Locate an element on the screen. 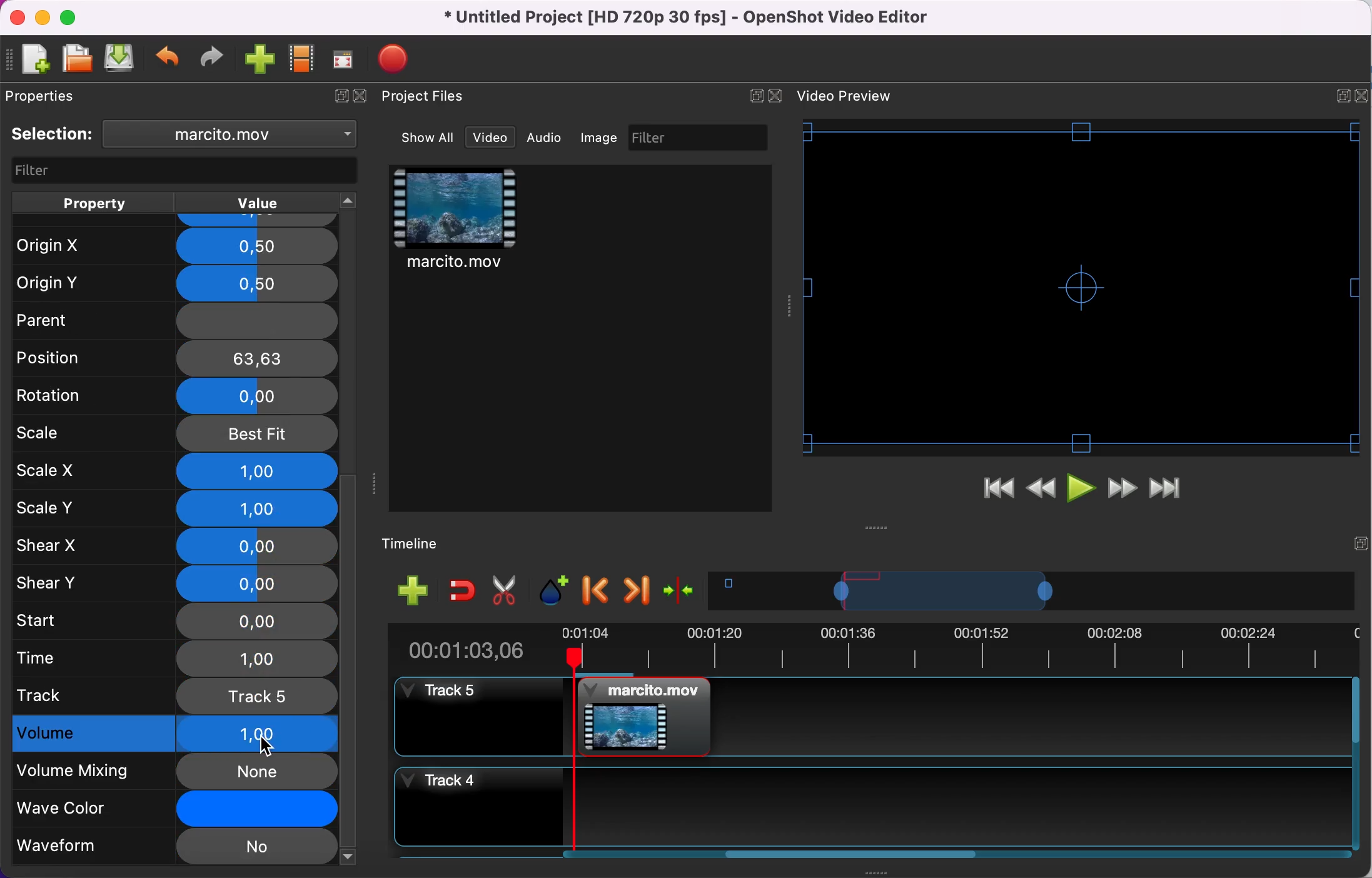 The height and width of the screenshot is (878, 1372). filter is located at coordinates (700, 137).